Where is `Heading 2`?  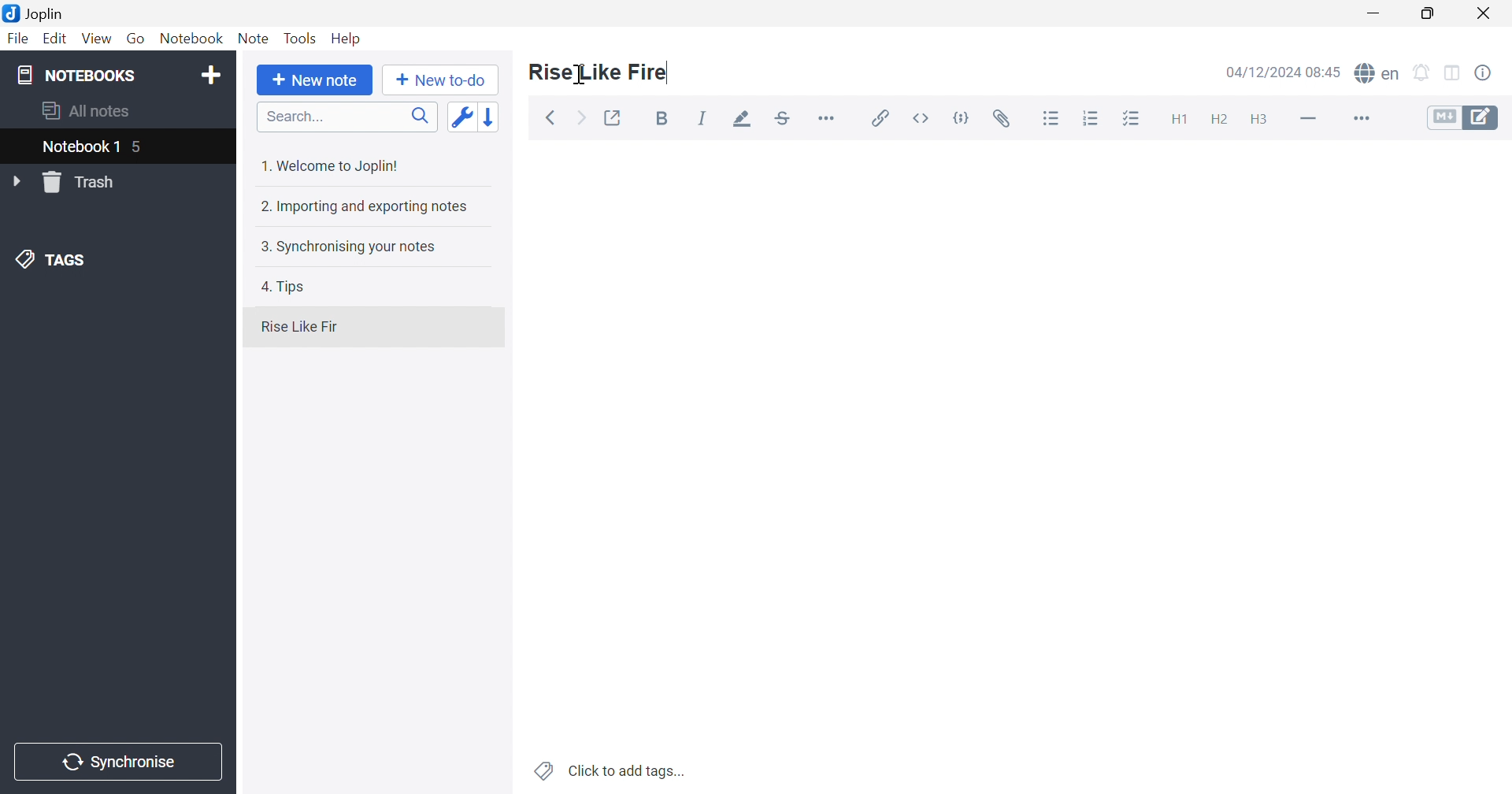
Heading 2 is located at coordinates (1220, 120).